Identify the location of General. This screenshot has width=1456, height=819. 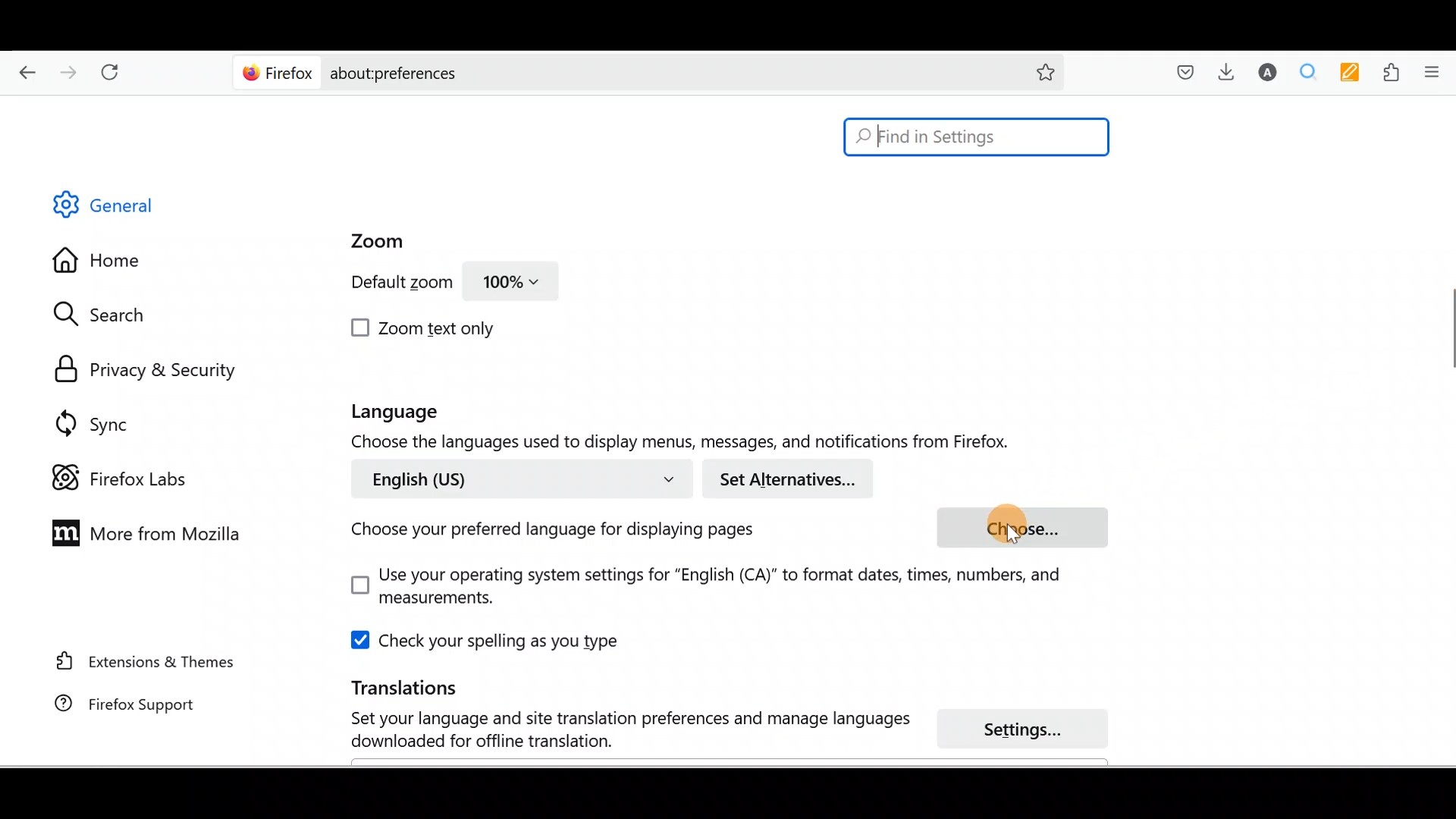
(117, 208).